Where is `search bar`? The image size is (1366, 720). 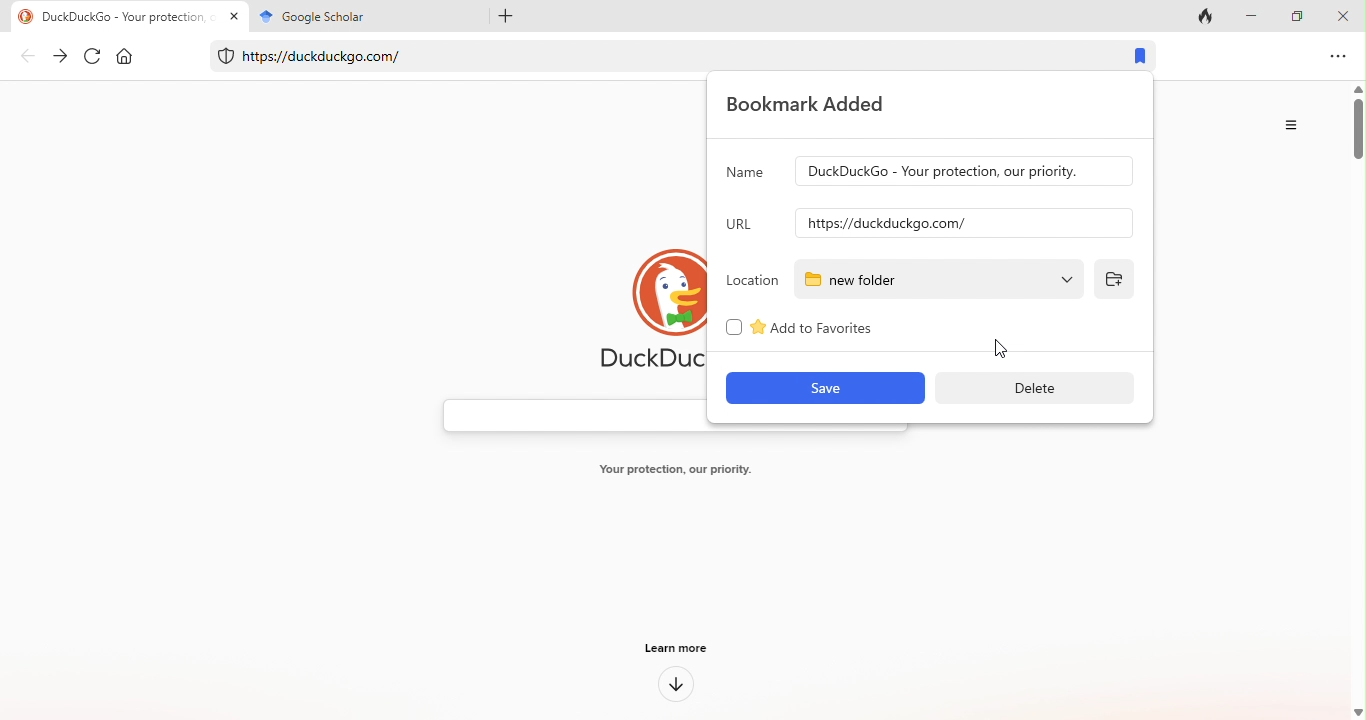
search bar is located at coordinates (575, 417).